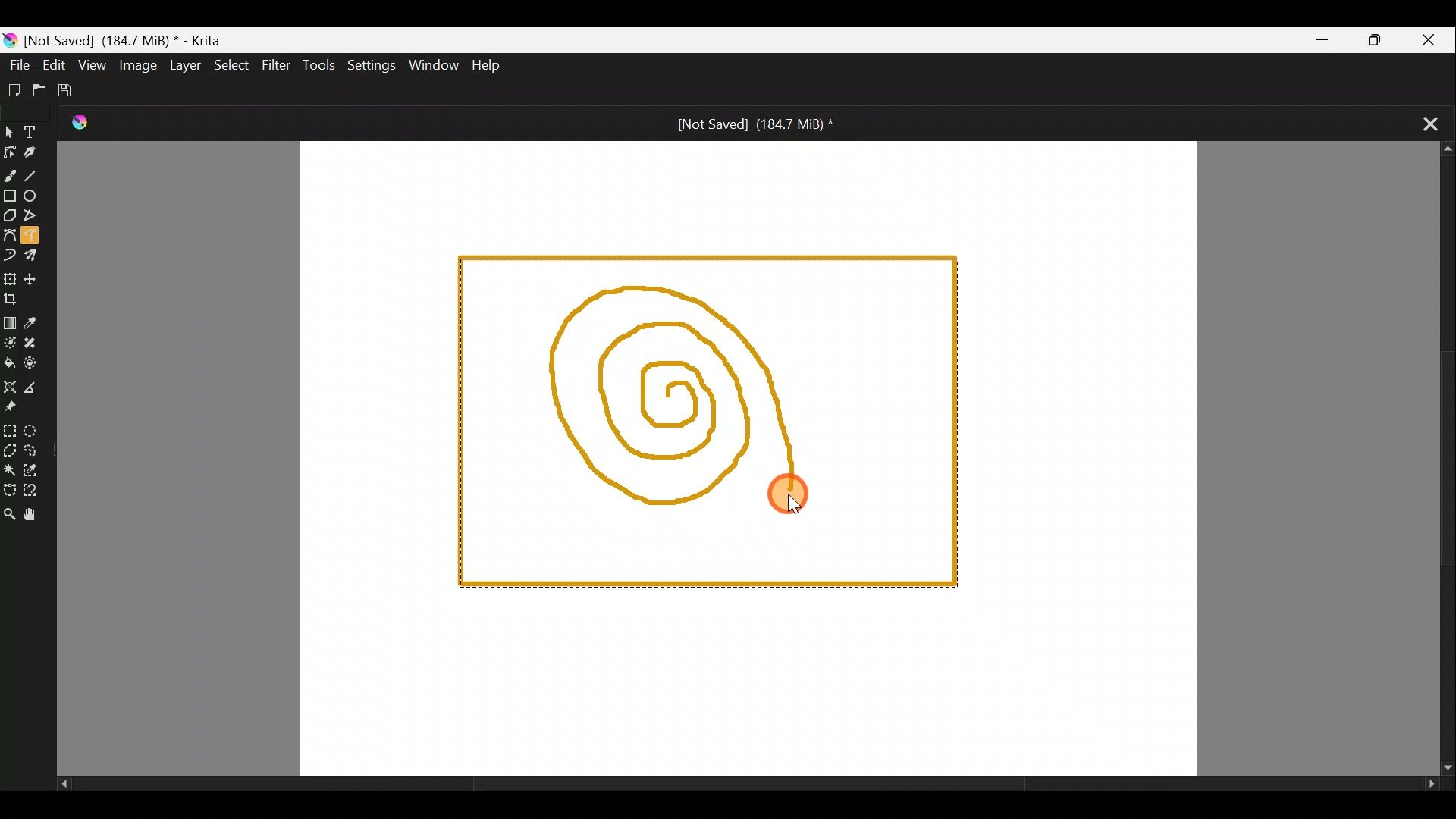  I want to click on Bezier curve tool, so click(11, 236).